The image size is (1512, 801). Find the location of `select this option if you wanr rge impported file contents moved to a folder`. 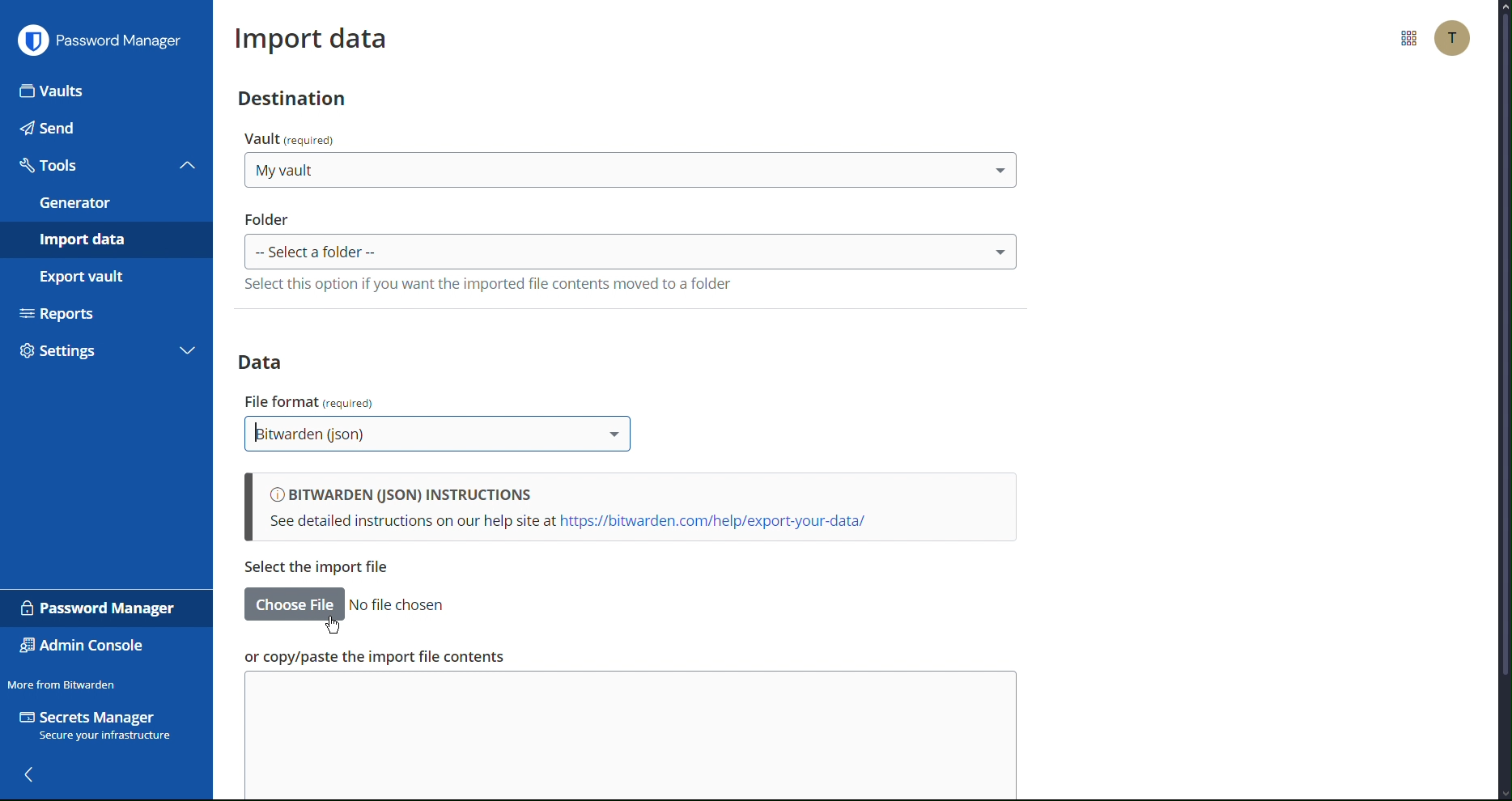

select this option if you wanr rge impported file contents moved to a folder is located at coordinates (490, 282).